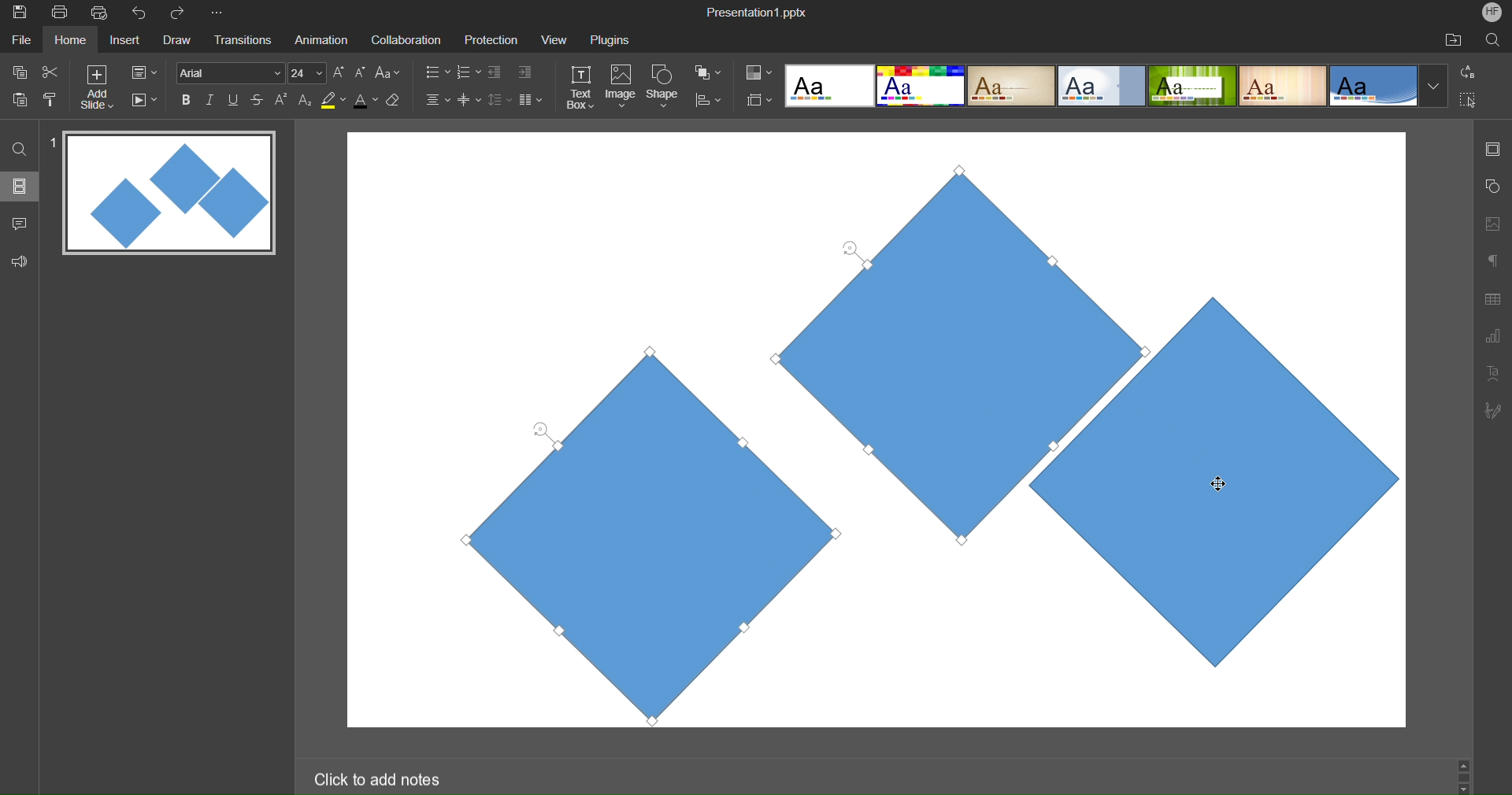  I want to click on Line Spacing, so click(498, 101).